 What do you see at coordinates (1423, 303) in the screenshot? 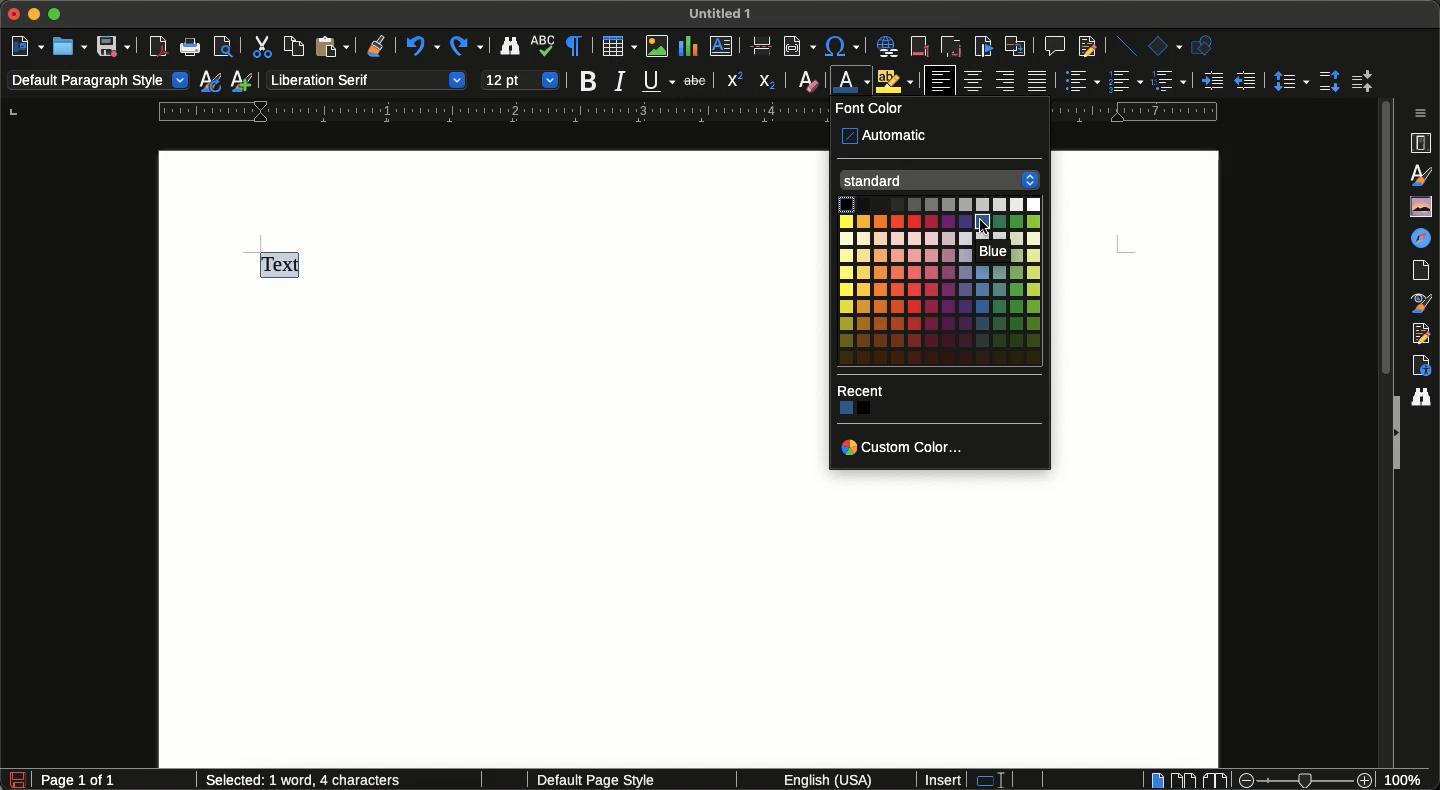
I see `Style inspector` at bounding box center [1423, 303].